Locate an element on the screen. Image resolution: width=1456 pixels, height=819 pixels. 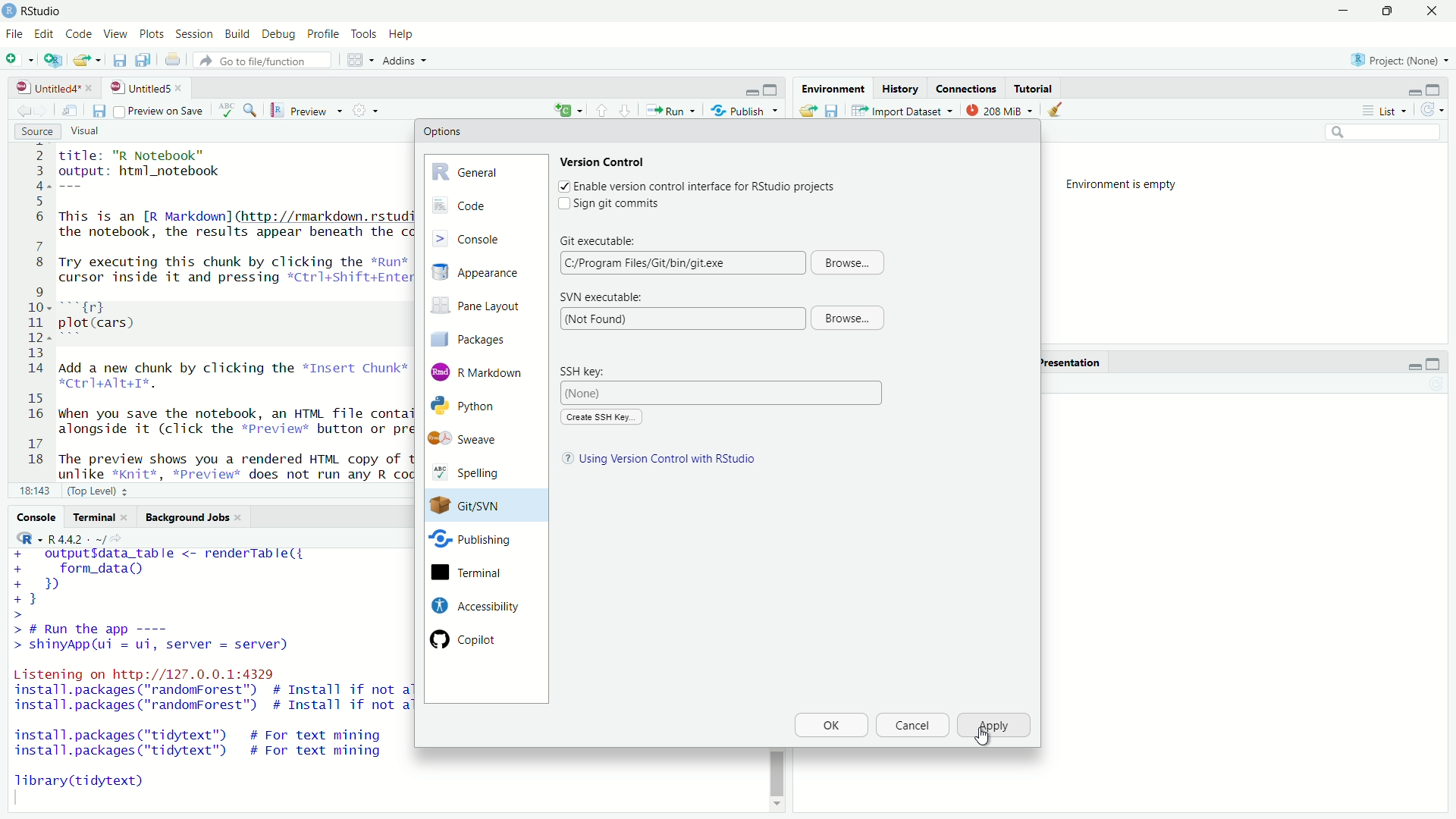
Load WorSpace is located at coordinates (807, 110).